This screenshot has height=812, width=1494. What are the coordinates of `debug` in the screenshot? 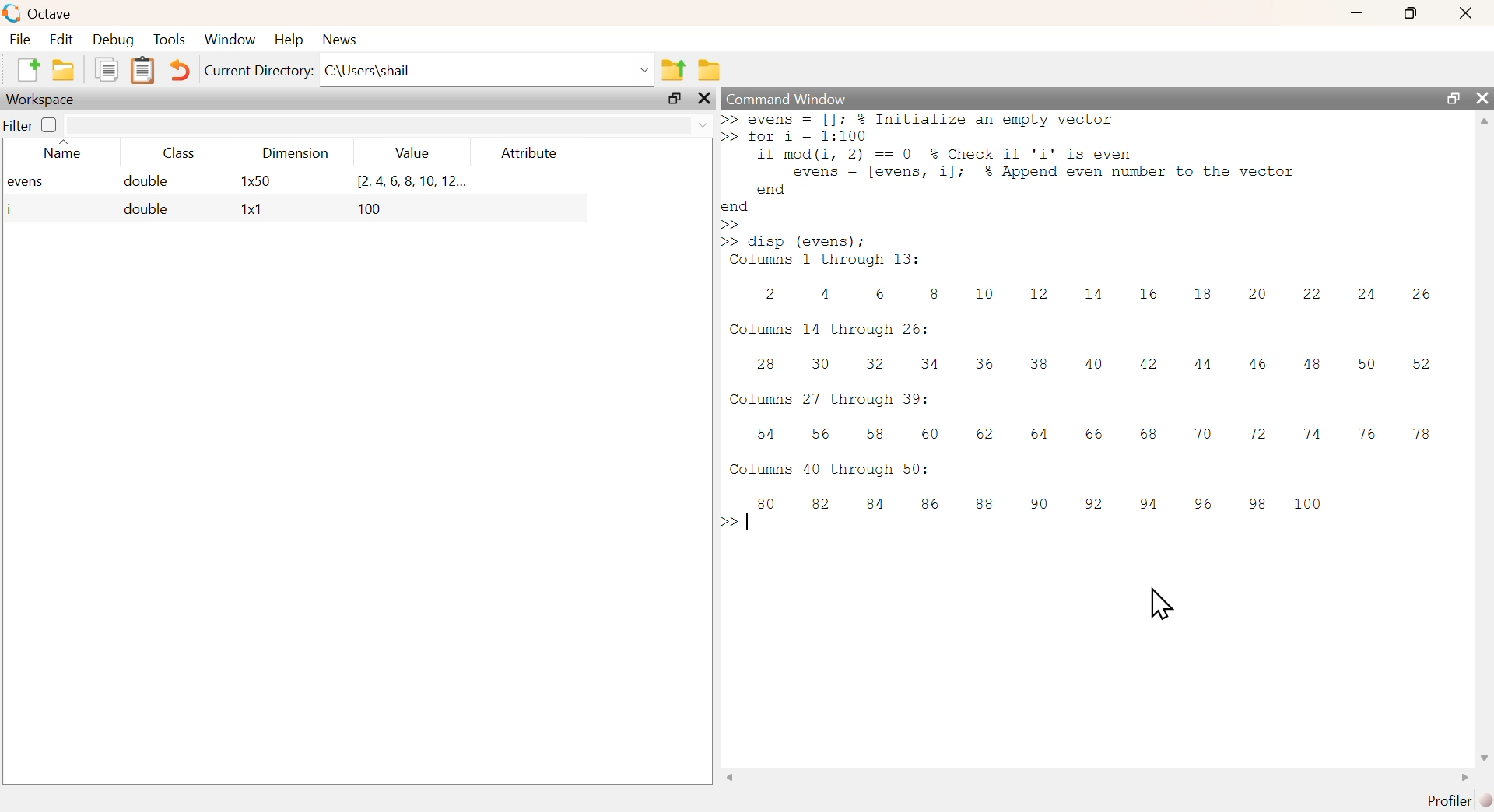 It's located at (116, 40).